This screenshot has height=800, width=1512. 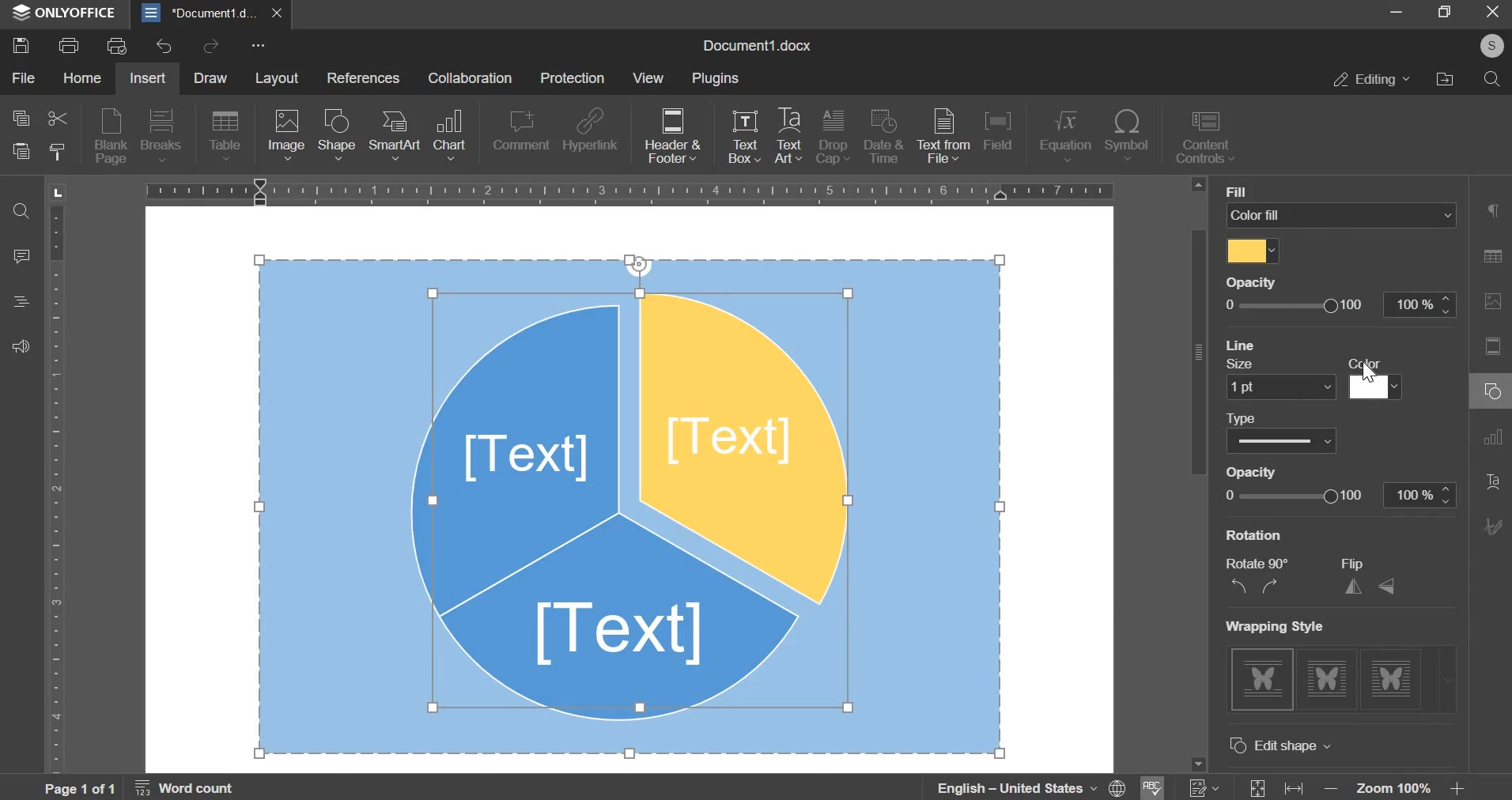 What do you see at coordinates (1243, 361) in the screenshot?
I see `` at bounding box center [1243, 361].